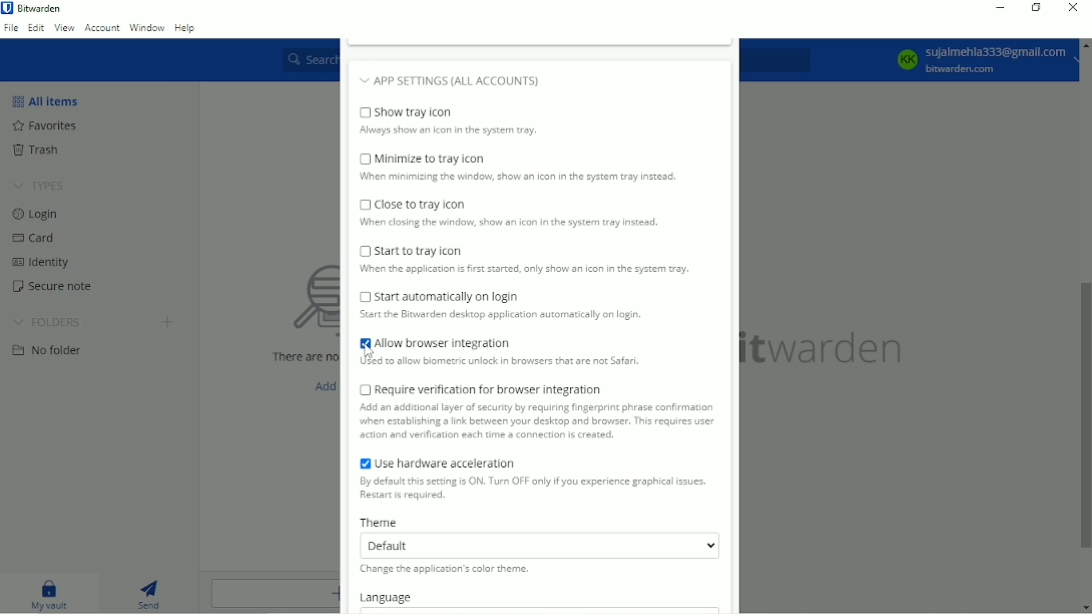  What do you see at coordinates (41, 184) in the screenshot?
I see `Types` at bounding box center [41, 184].